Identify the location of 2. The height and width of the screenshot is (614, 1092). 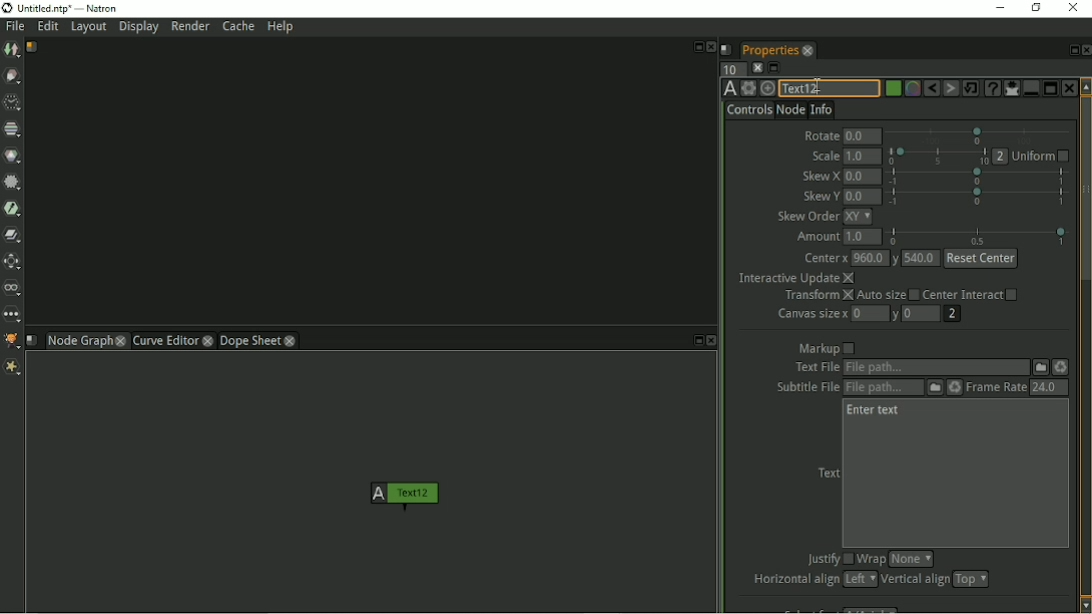
(1001, 156).